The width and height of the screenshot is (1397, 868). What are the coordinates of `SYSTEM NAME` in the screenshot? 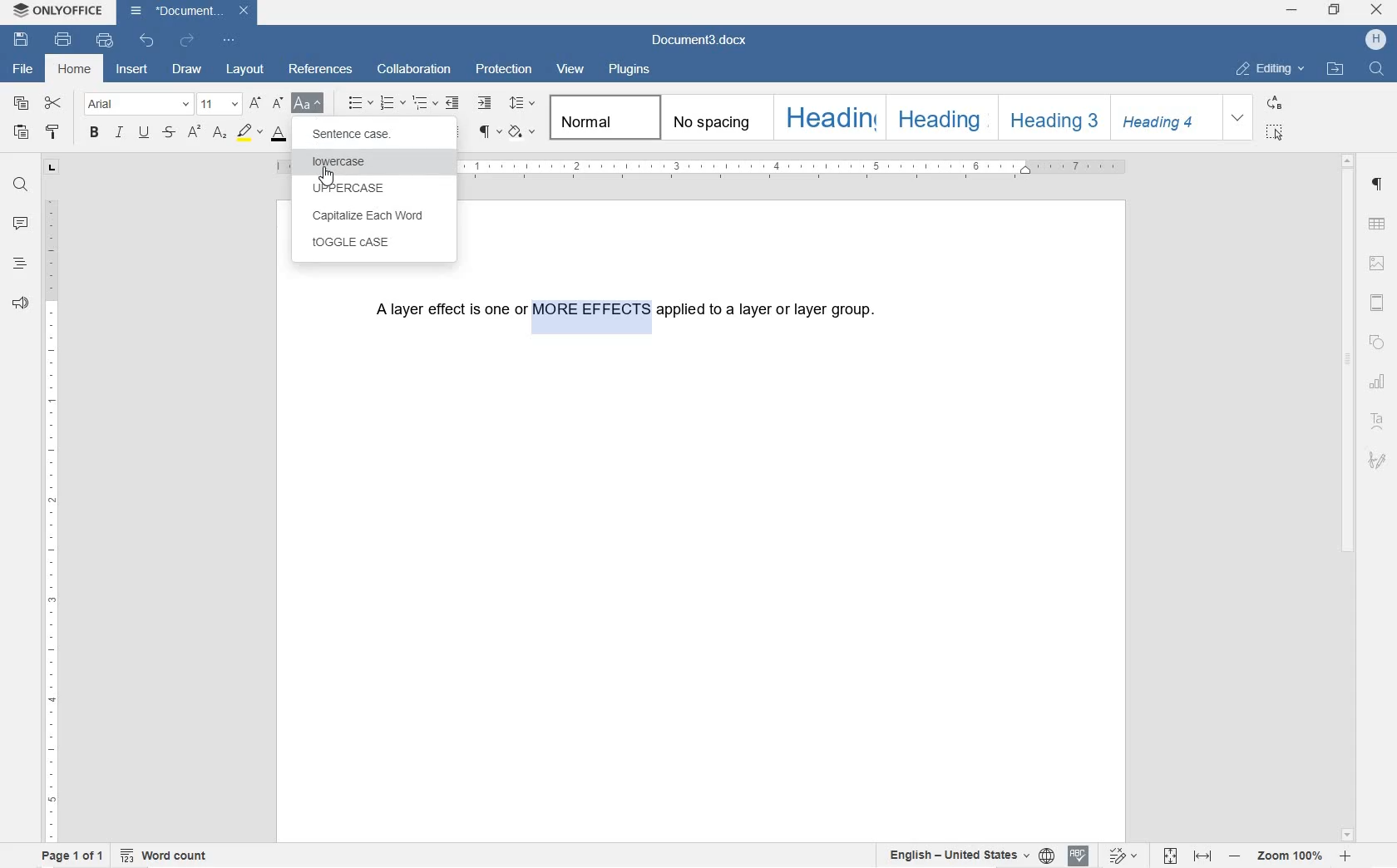 It's located at (58, 8).